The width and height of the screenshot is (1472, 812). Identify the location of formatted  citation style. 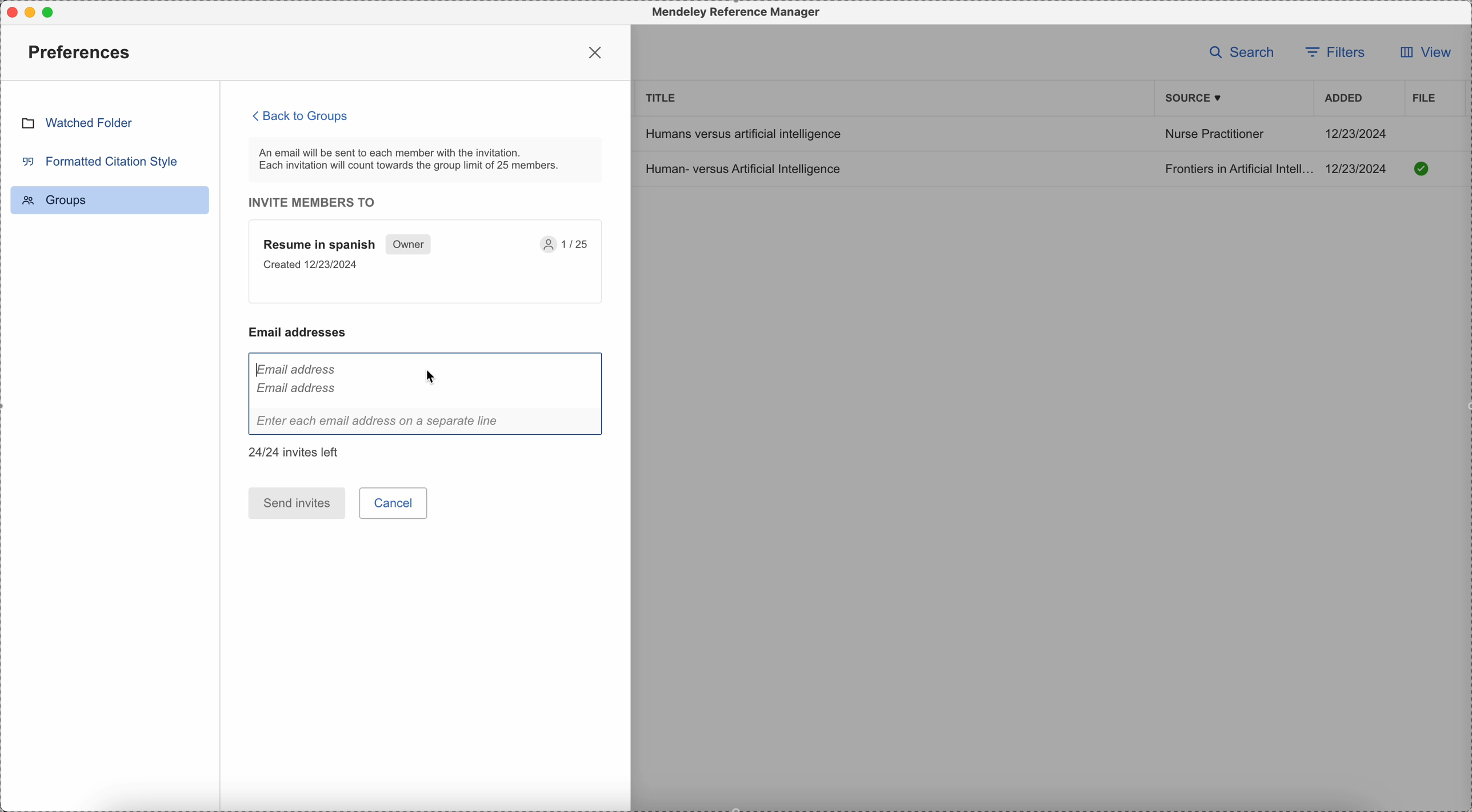
(98, 161).